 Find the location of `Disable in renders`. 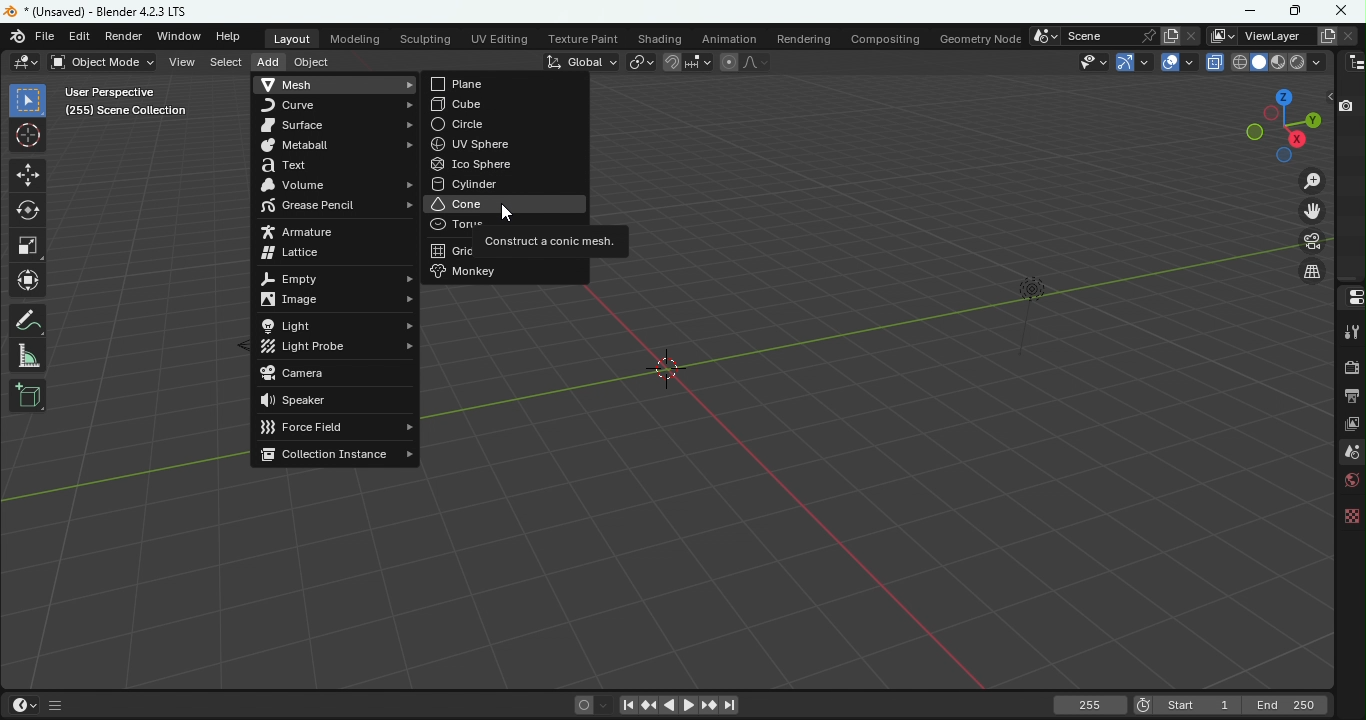

Disable in renders is located at coordinates (1349, 104).